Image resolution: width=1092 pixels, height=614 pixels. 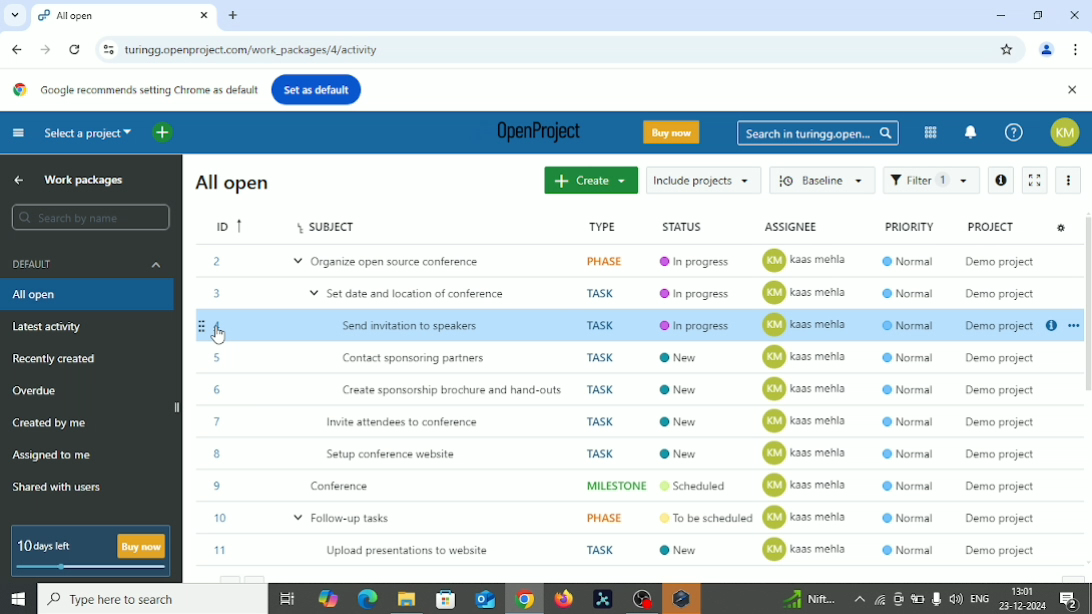 What do you see at coordinates (981, 599) in the screenshot?
I see `Language` at bounding box center [981, 599].